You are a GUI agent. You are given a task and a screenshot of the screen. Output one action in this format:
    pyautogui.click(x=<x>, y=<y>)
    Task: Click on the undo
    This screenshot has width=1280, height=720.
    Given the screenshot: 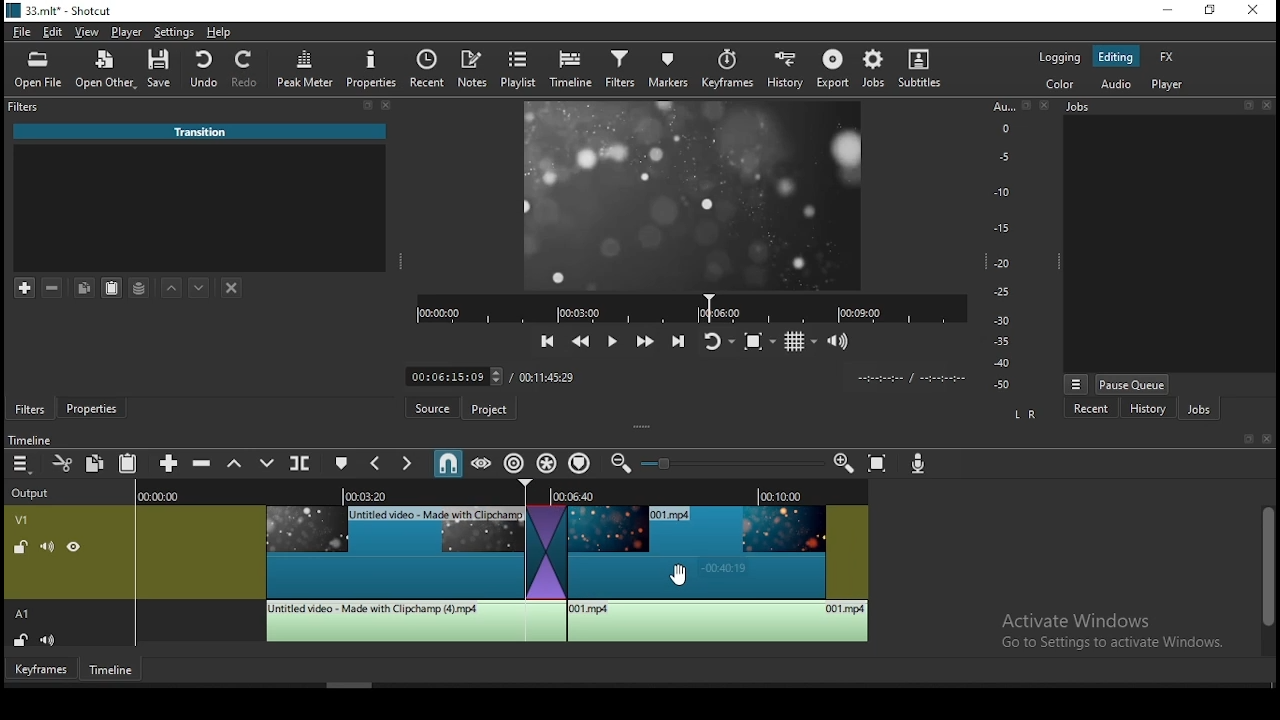 What is the action you would take?
    pyautogui.click(x=207, y=69)
    